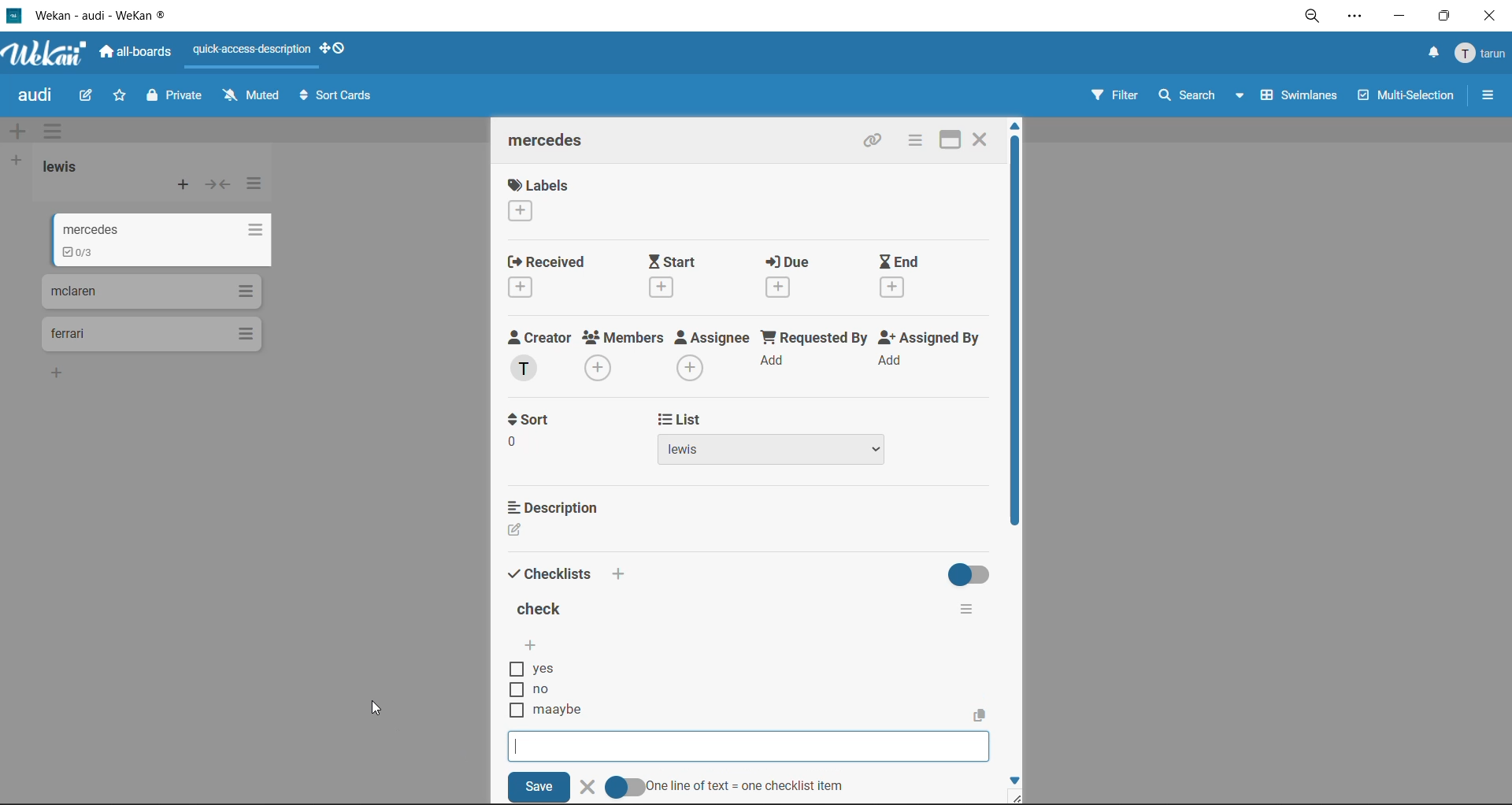  Describe the element at coordinates (22, 131) in the screenshot. I see `add swimlane` at that location.